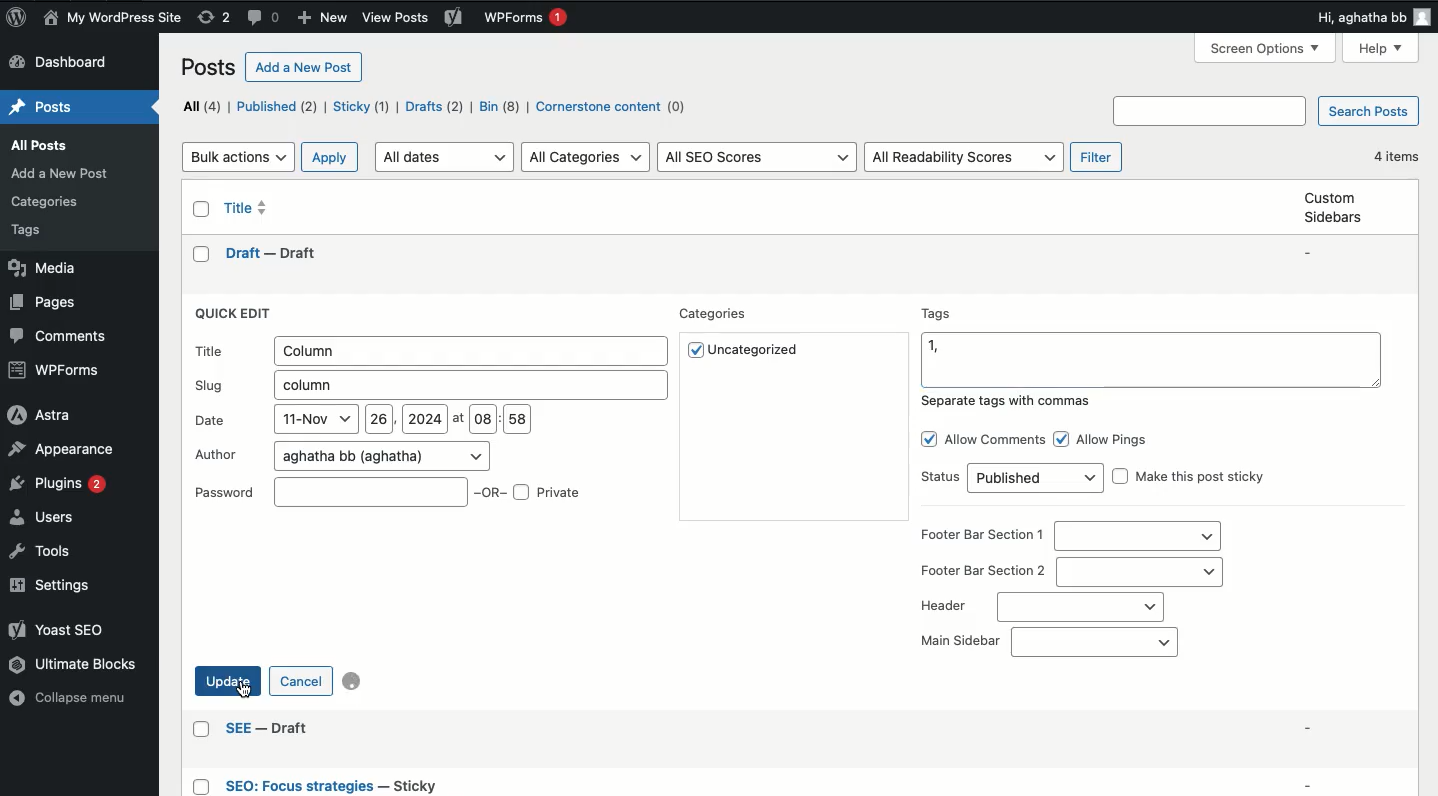 The width and height of the screenshot is (1438, 796). What do you see at coordinates (394, 19) in the screenshot?
I see `` at bounding box center [394, 19].